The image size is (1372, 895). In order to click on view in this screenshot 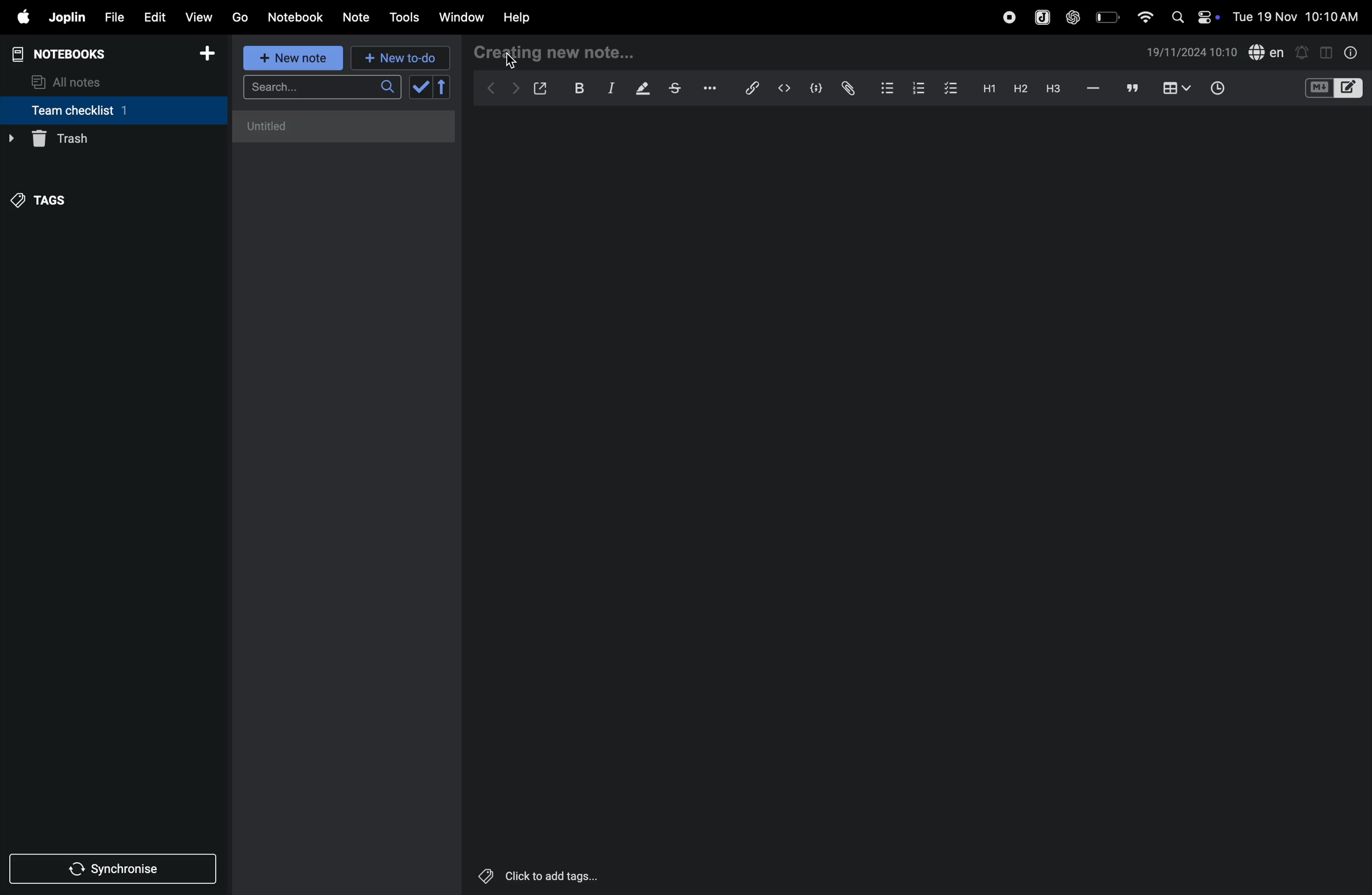, I will do `click(201, 16)`.